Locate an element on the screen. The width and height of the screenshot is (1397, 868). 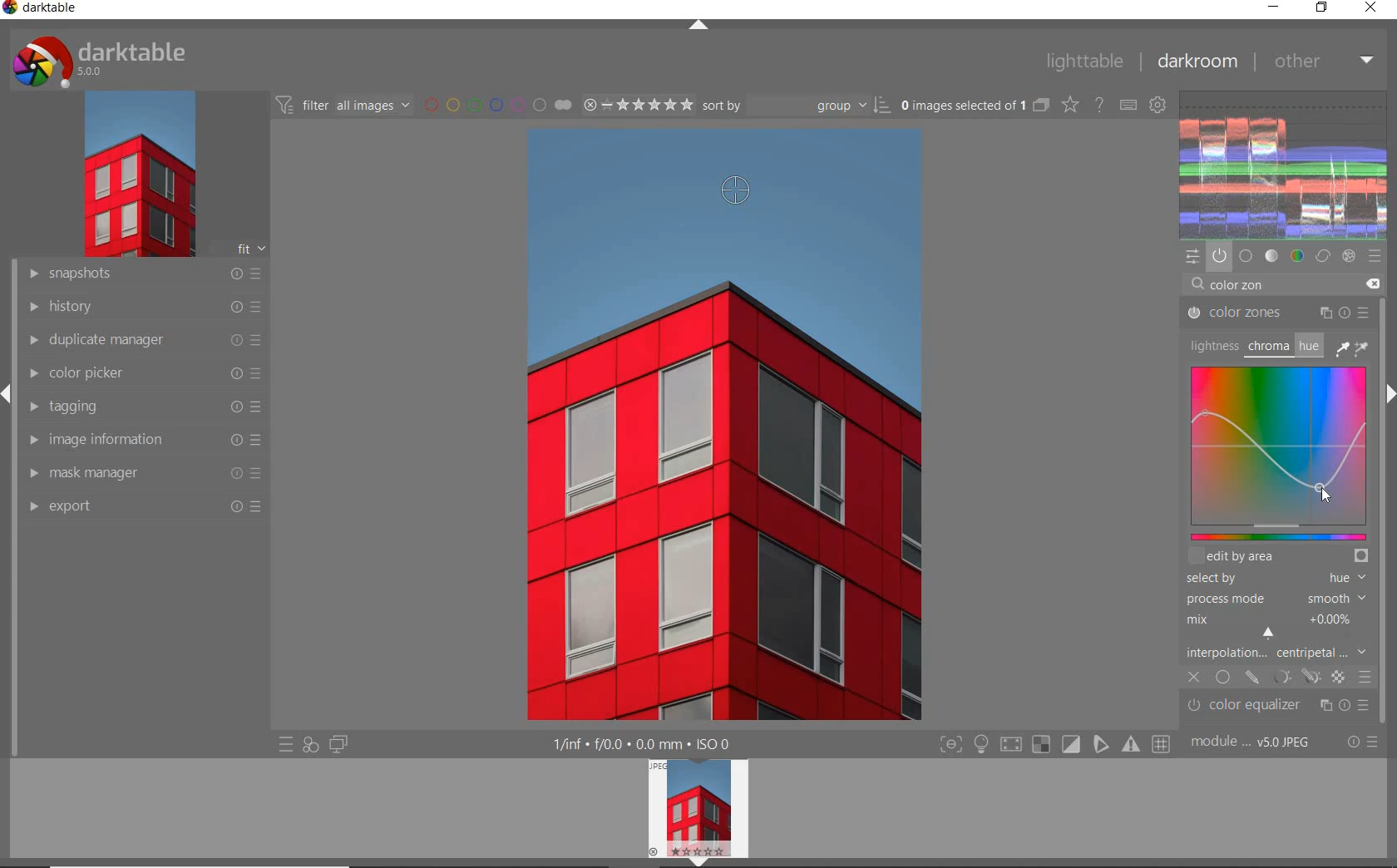
INTERPOLATION is located at coordinates (1276, 652).